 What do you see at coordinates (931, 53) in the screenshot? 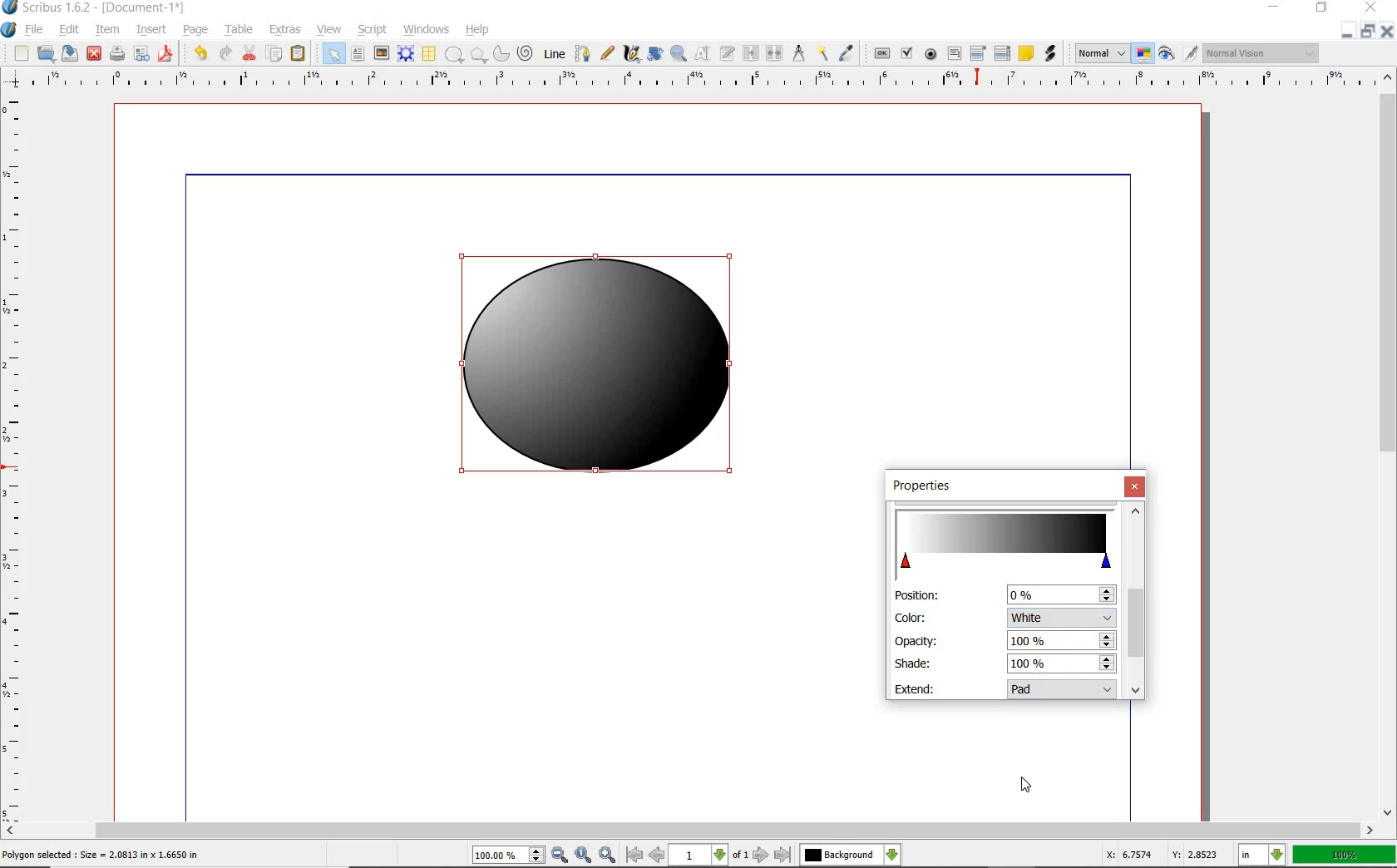
I see `PDF RADIO BUTTON` at bounding box center [931, 53].